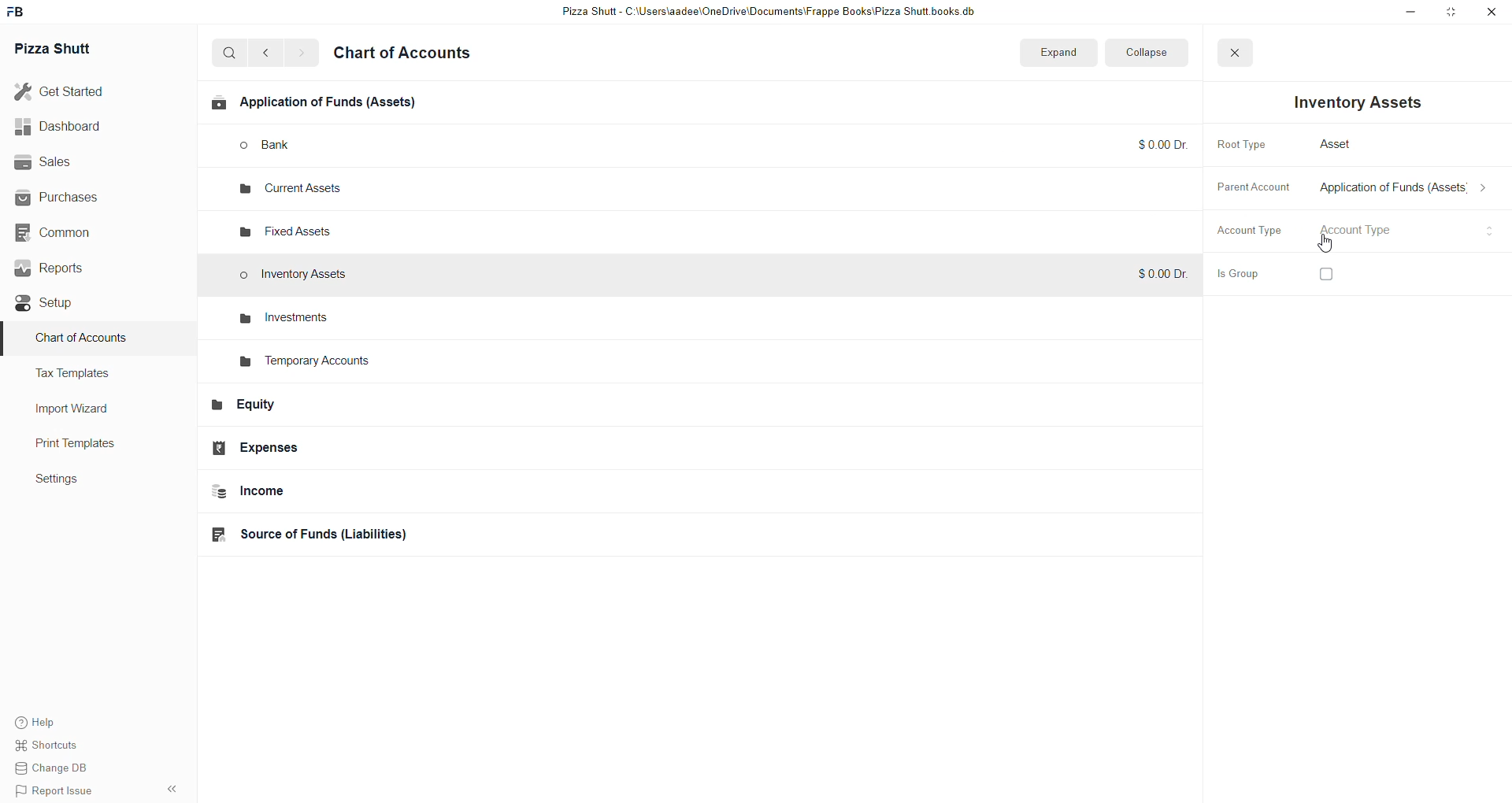  I want to click on Frappe Book Logo, so click(23, 12).